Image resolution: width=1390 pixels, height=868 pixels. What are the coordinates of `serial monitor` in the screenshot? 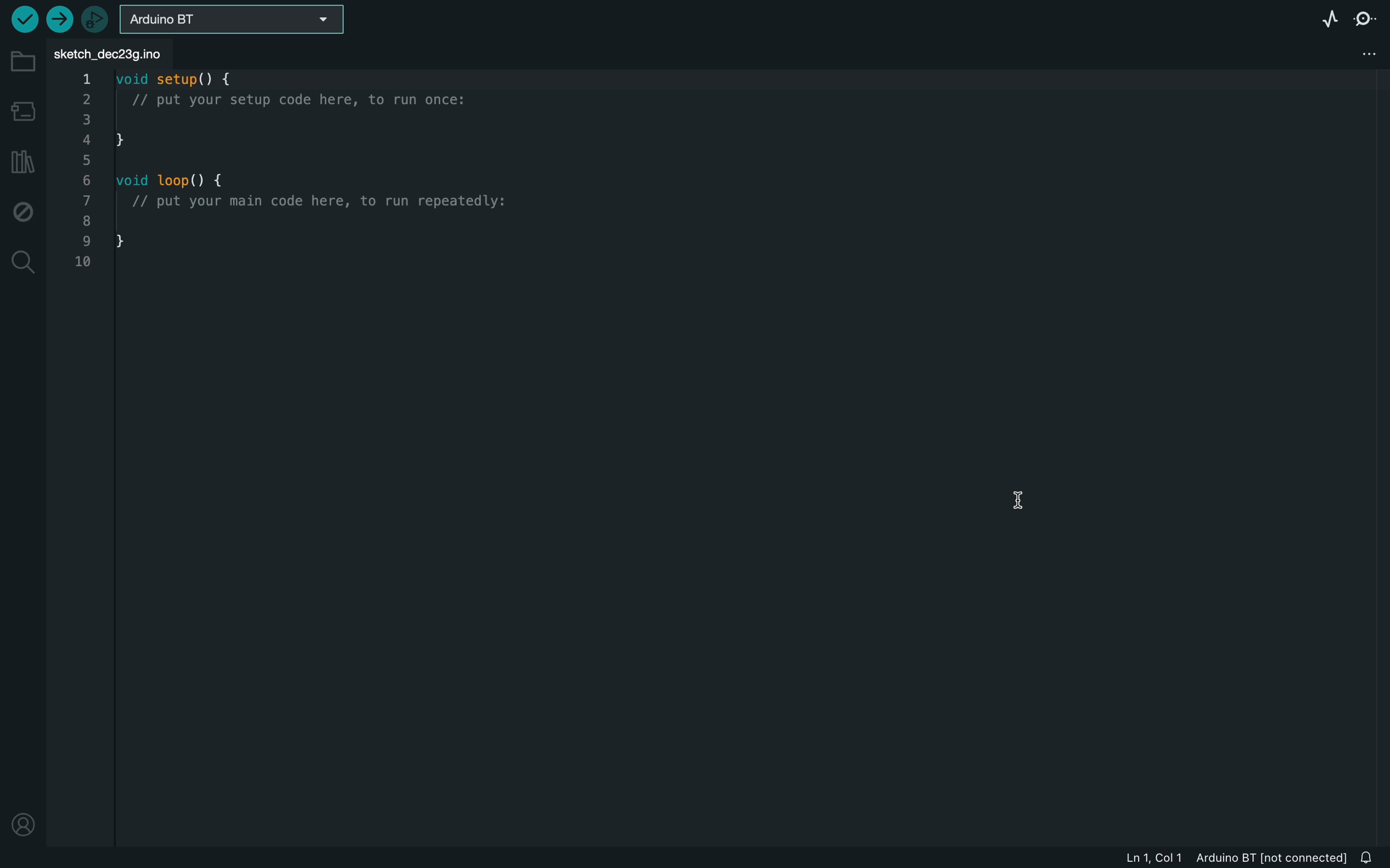 It's located at (1366, 18).